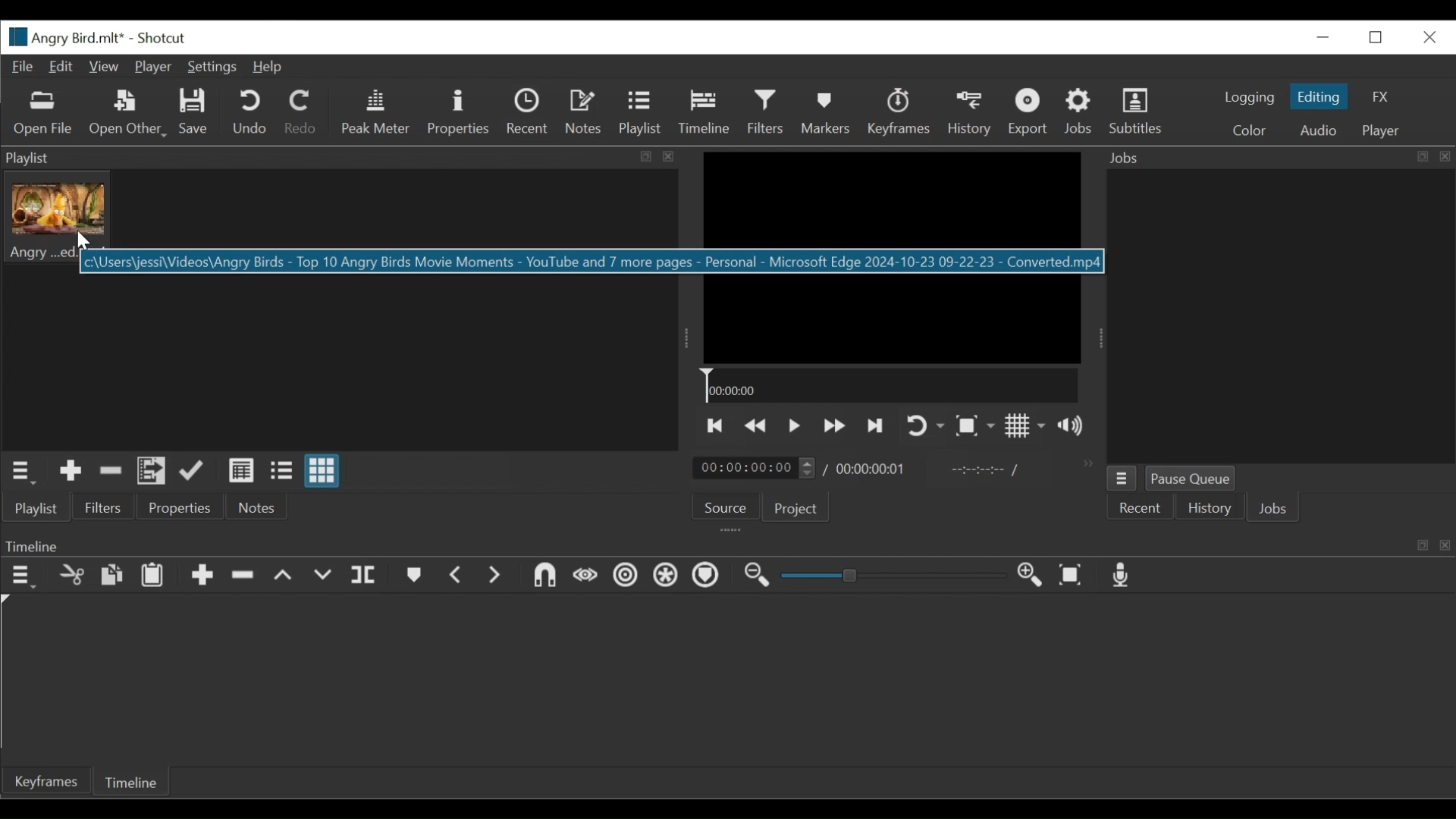  What do you see at coordinates (877, 426) in the screenshot?
I see `Skip to the next point` at bounding box center [877, 426].